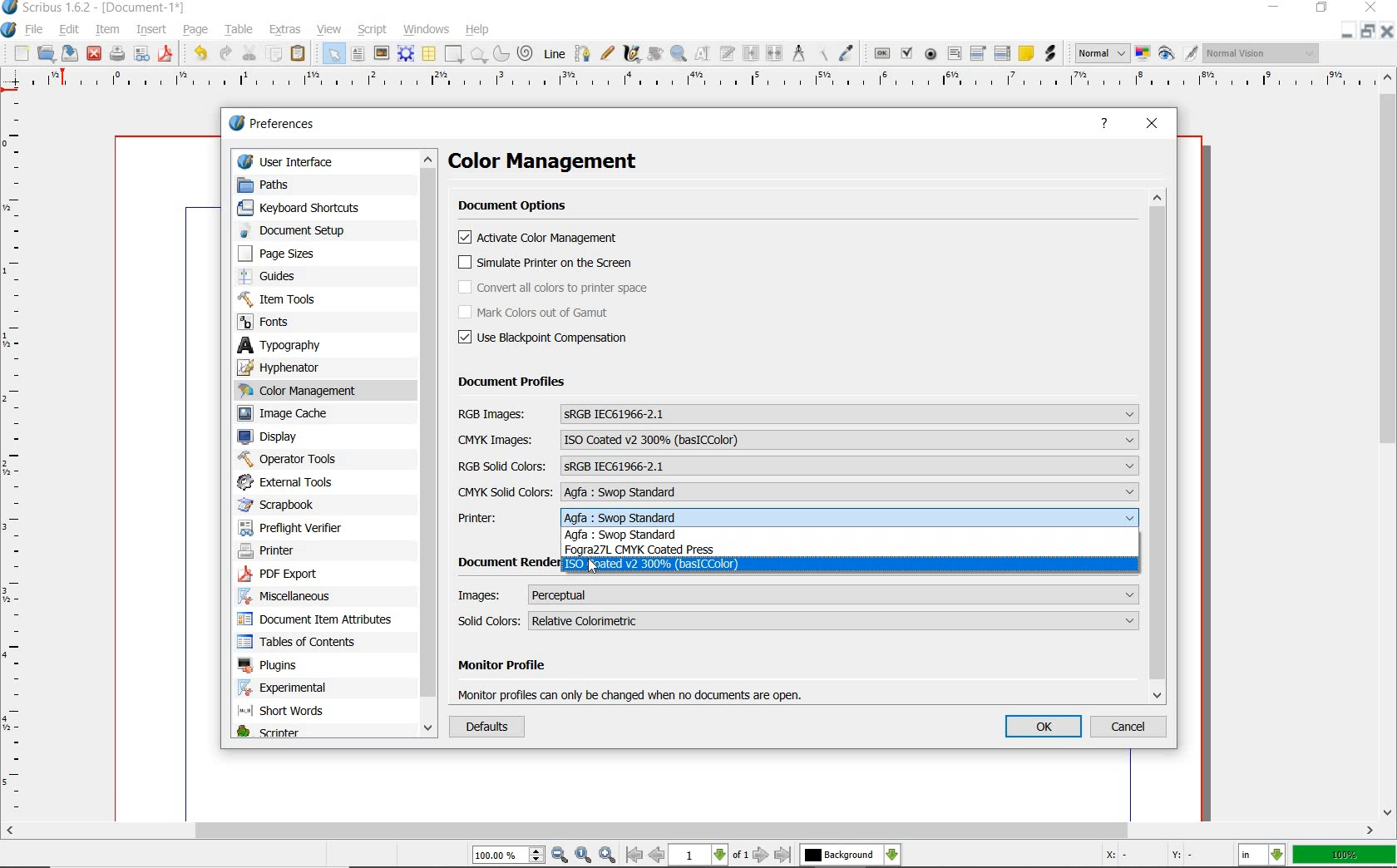  Describe the element at coordinates (294, 185) in the screenshot. I see `paths` at that location.